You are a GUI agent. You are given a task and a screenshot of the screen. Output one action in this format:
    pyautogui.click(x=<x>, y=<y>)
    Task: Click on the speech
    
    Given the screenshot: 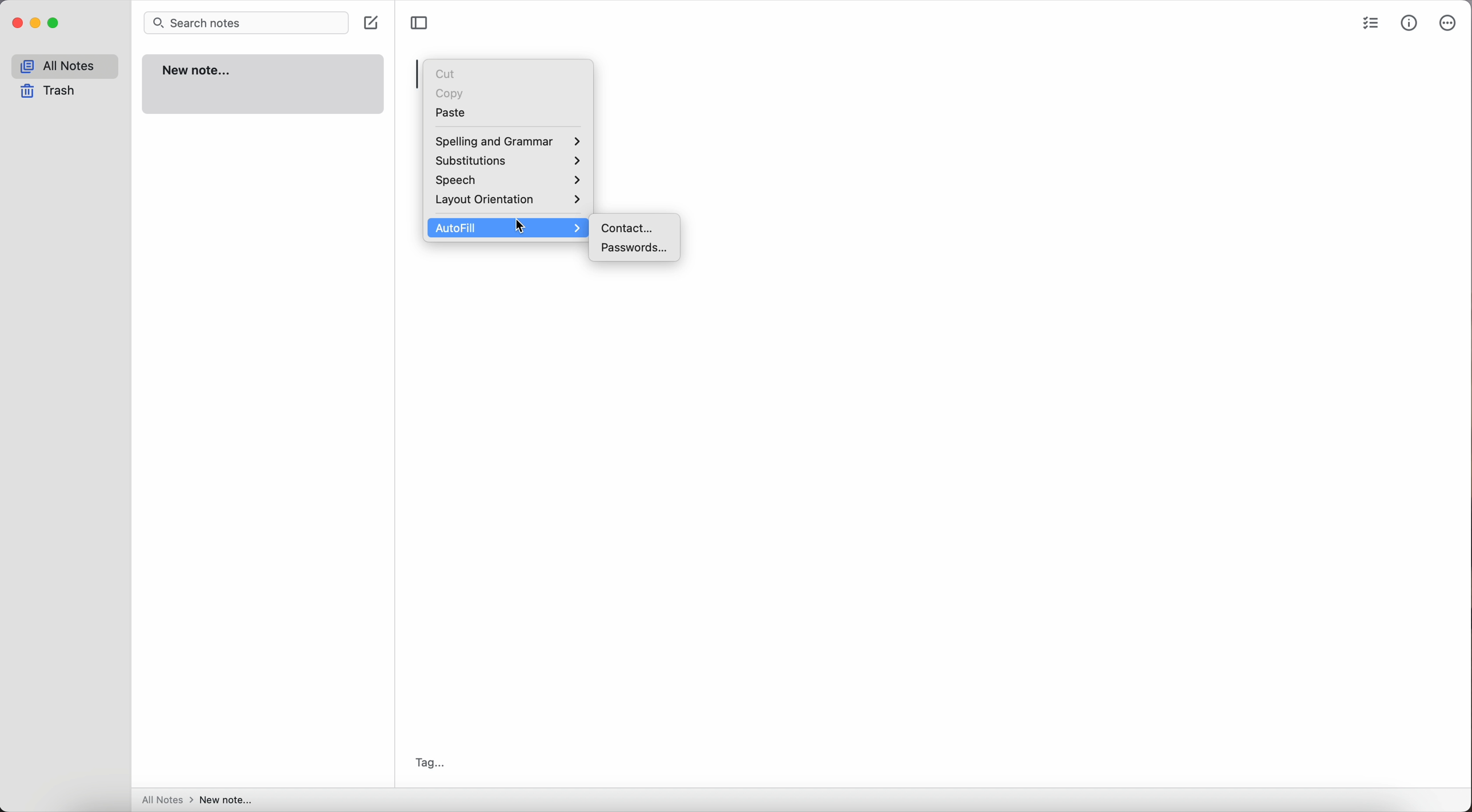 What is the action you would take?
    pyautogui.click(x=510, y=182)
    